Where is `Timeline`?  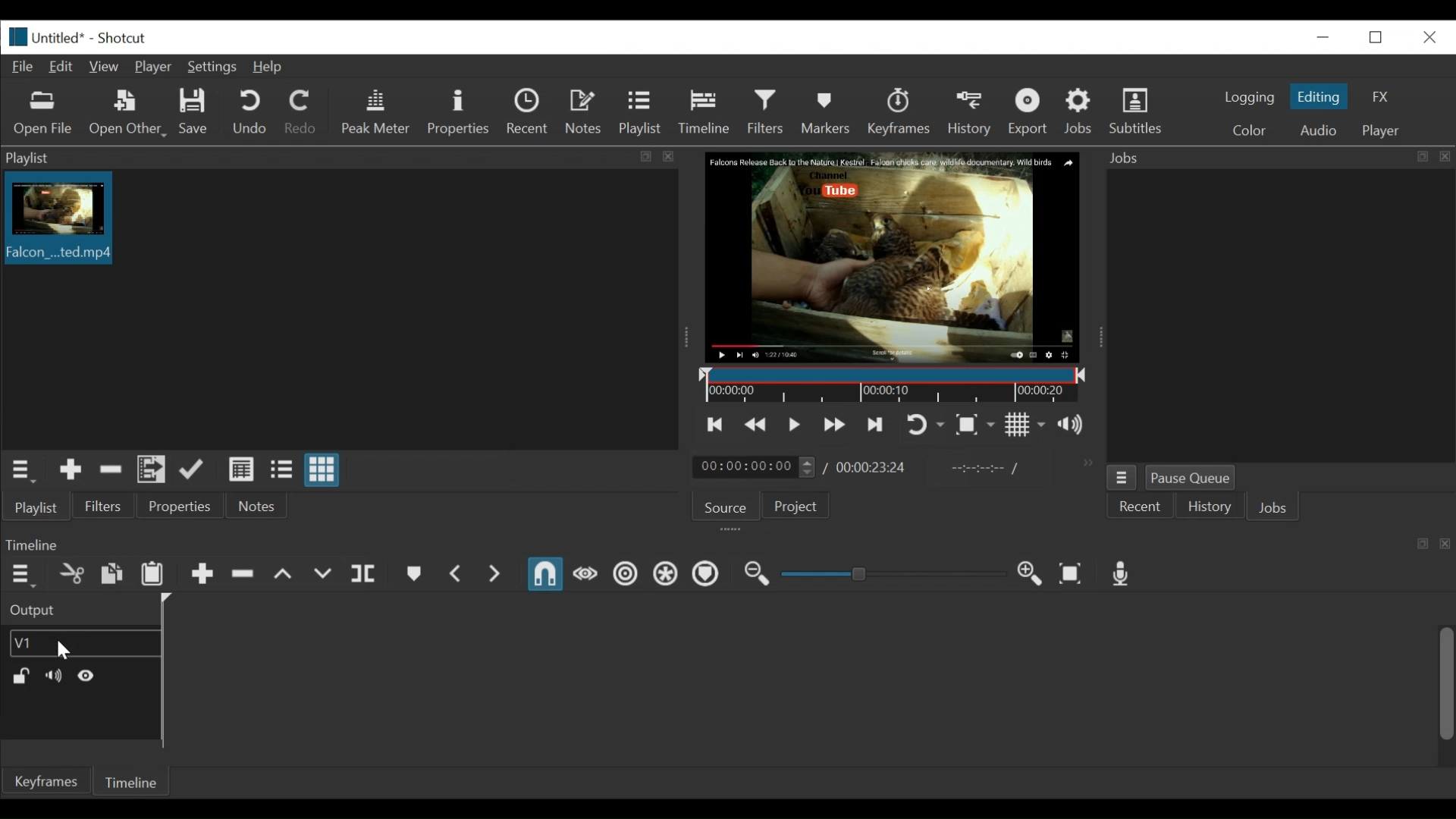 Timeline is located at coordinates (127, 783).